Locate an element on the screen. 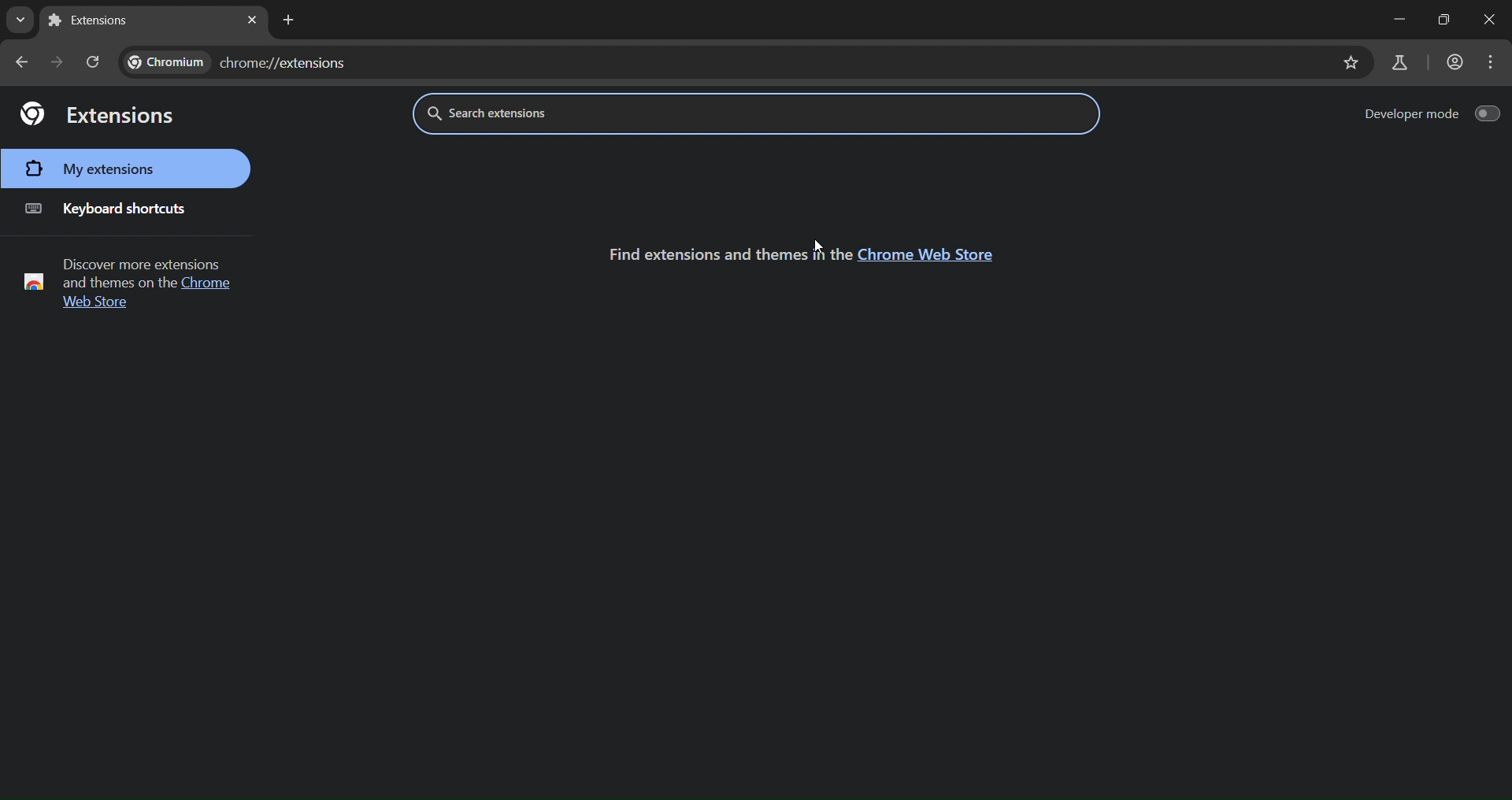 The width and height of the screenshot is (1512, 800). keyboard shortcuts is located at coordinates (128, 209).